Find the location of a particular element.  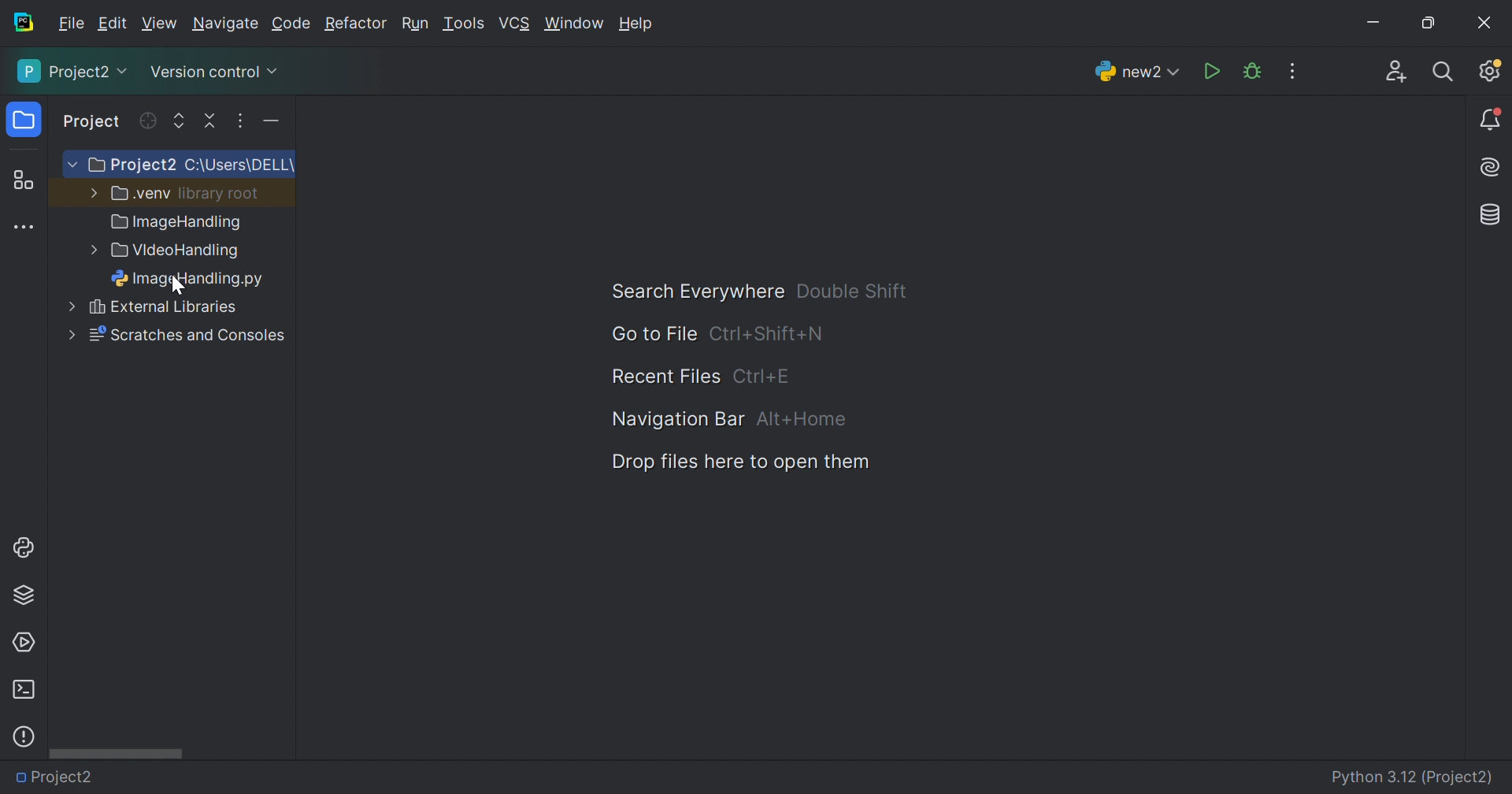

Collapse all is located at coordinates (212, 121).